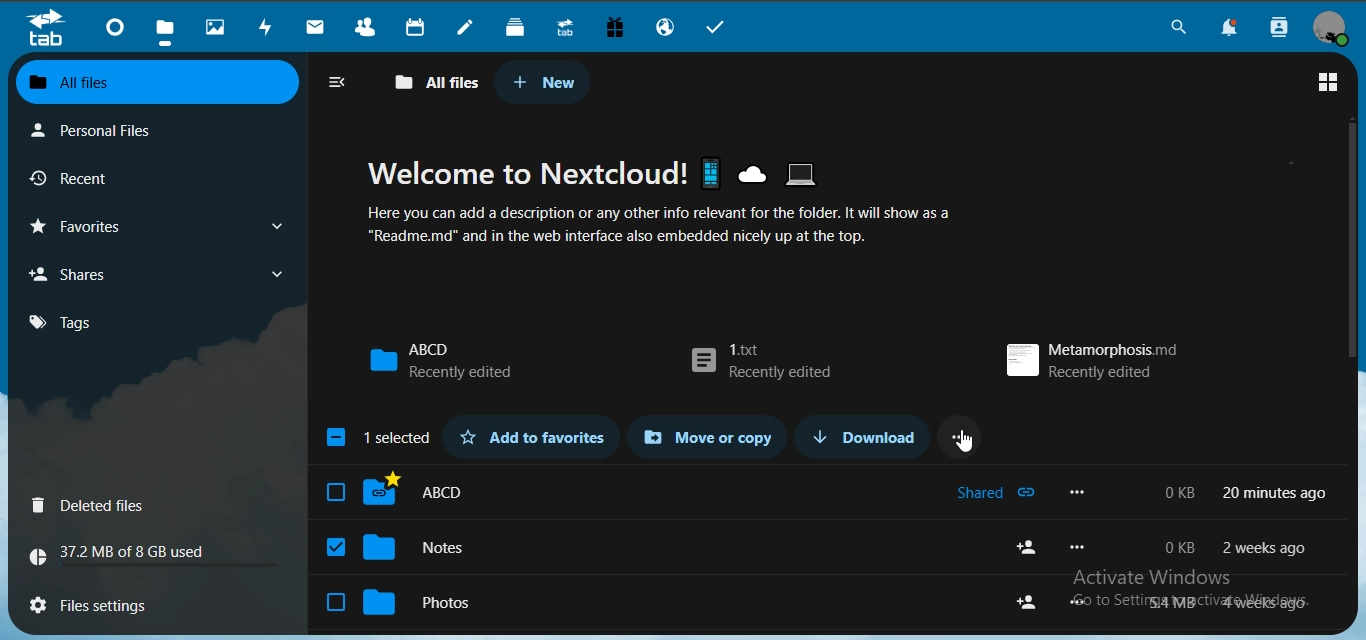  Describe the element at coordinates (1082, 546) in the screenshot. I see `more options` at that location.